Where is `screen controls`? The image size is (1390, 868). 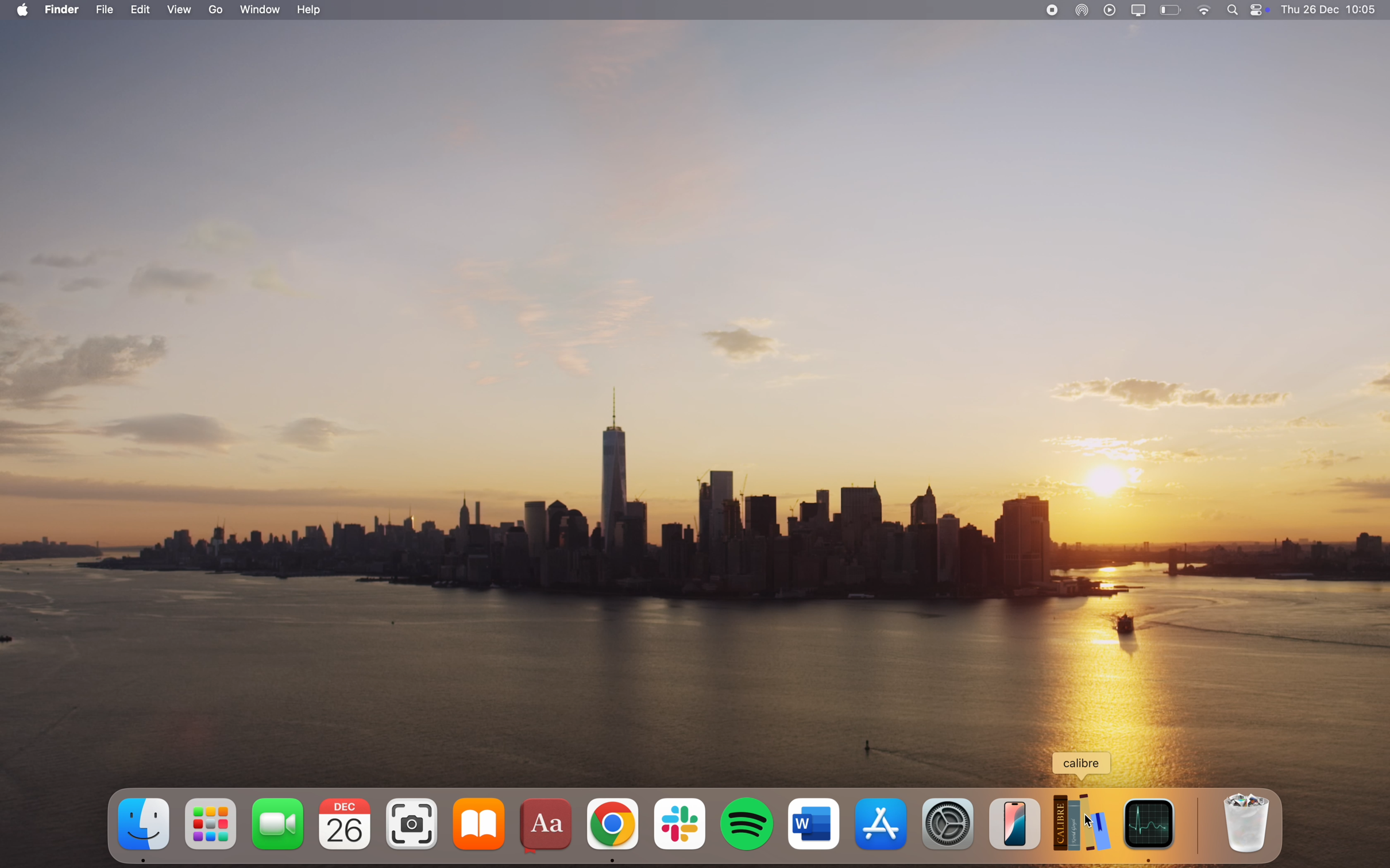
screen controls is located at coordinates (1261, 10).